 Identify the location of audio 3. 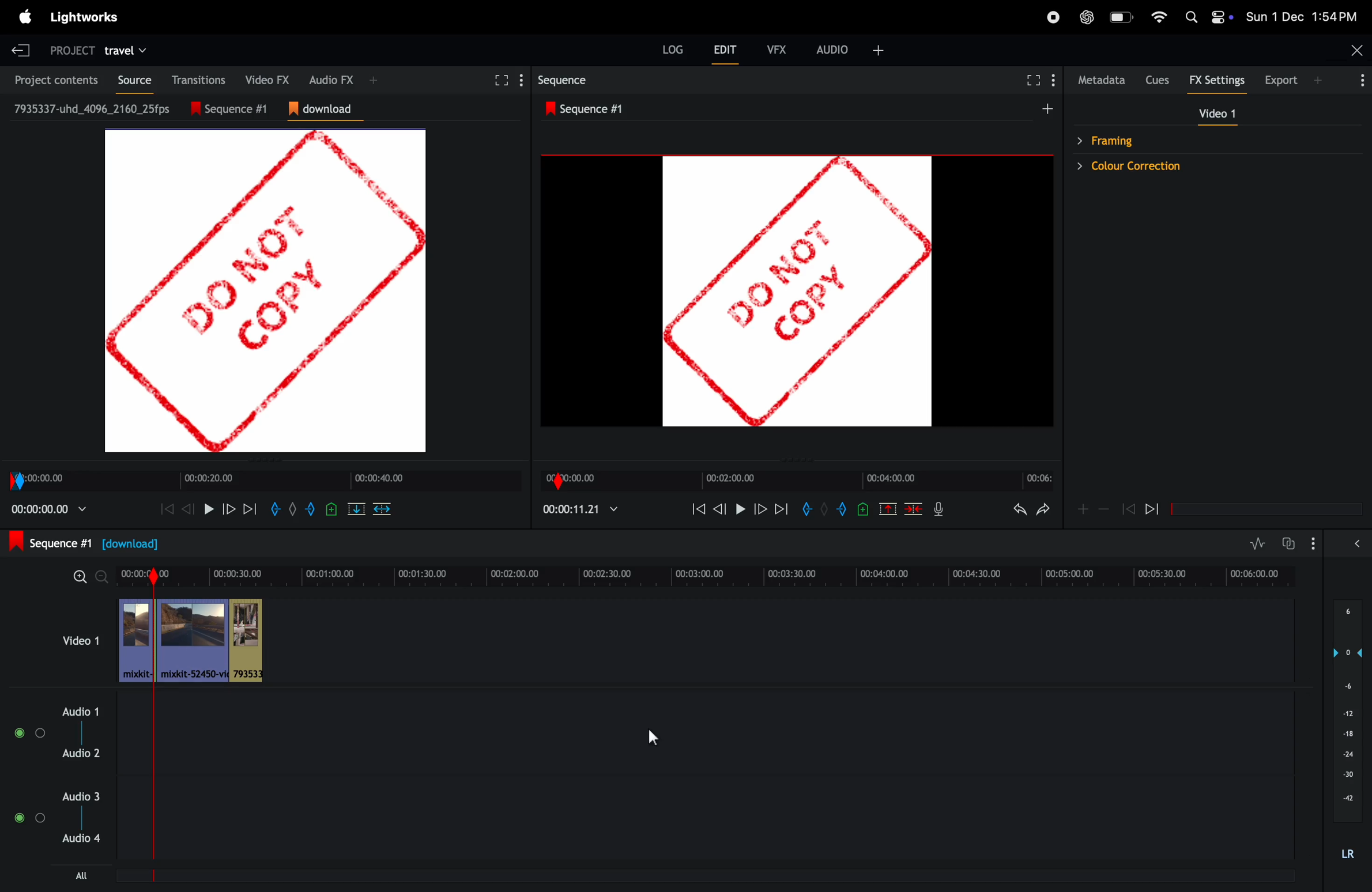
(79, 796).